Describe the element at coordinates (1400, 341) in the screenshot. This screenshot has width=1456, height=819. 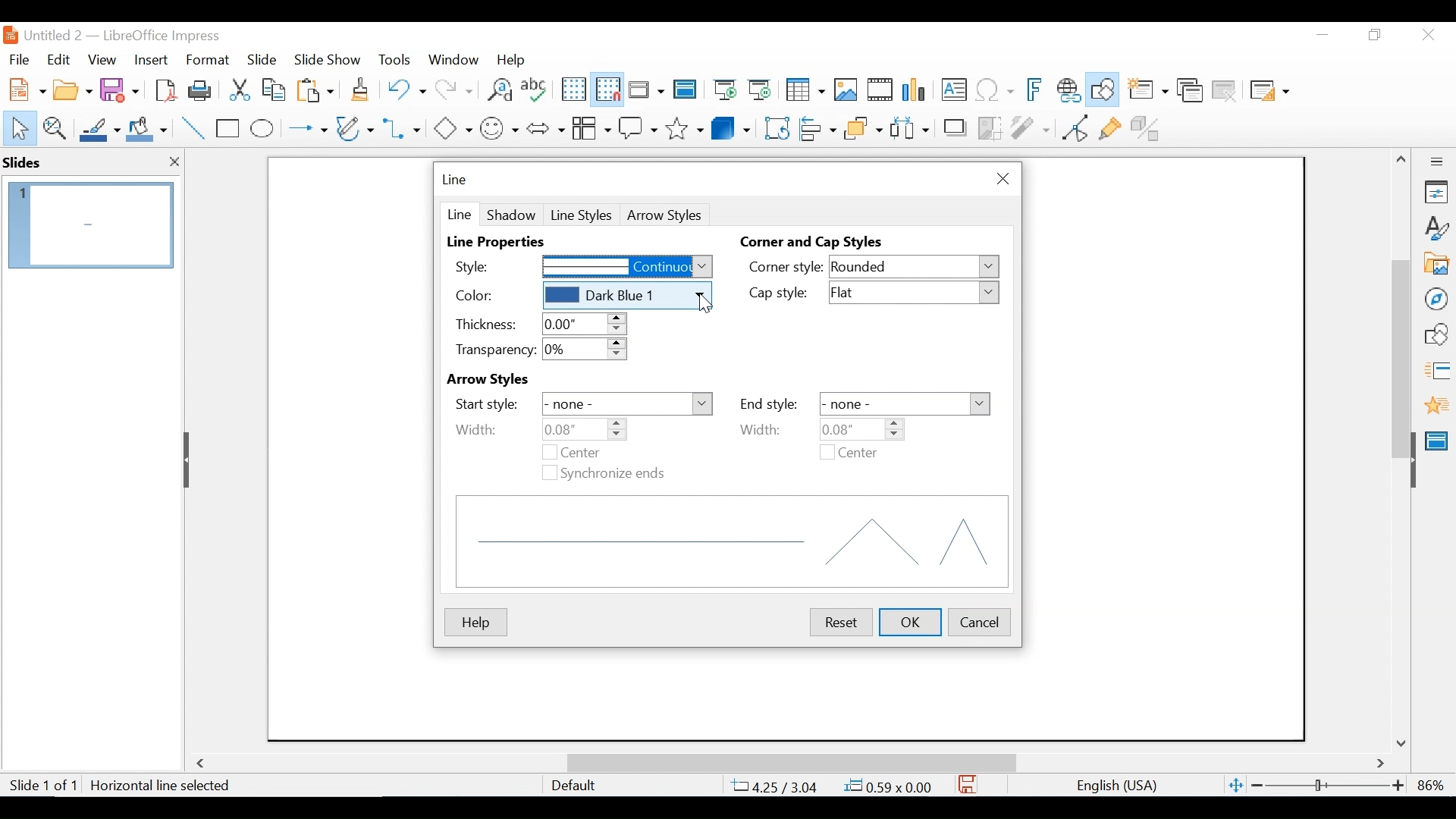
I see `Vertical Scrollbar` at that location.